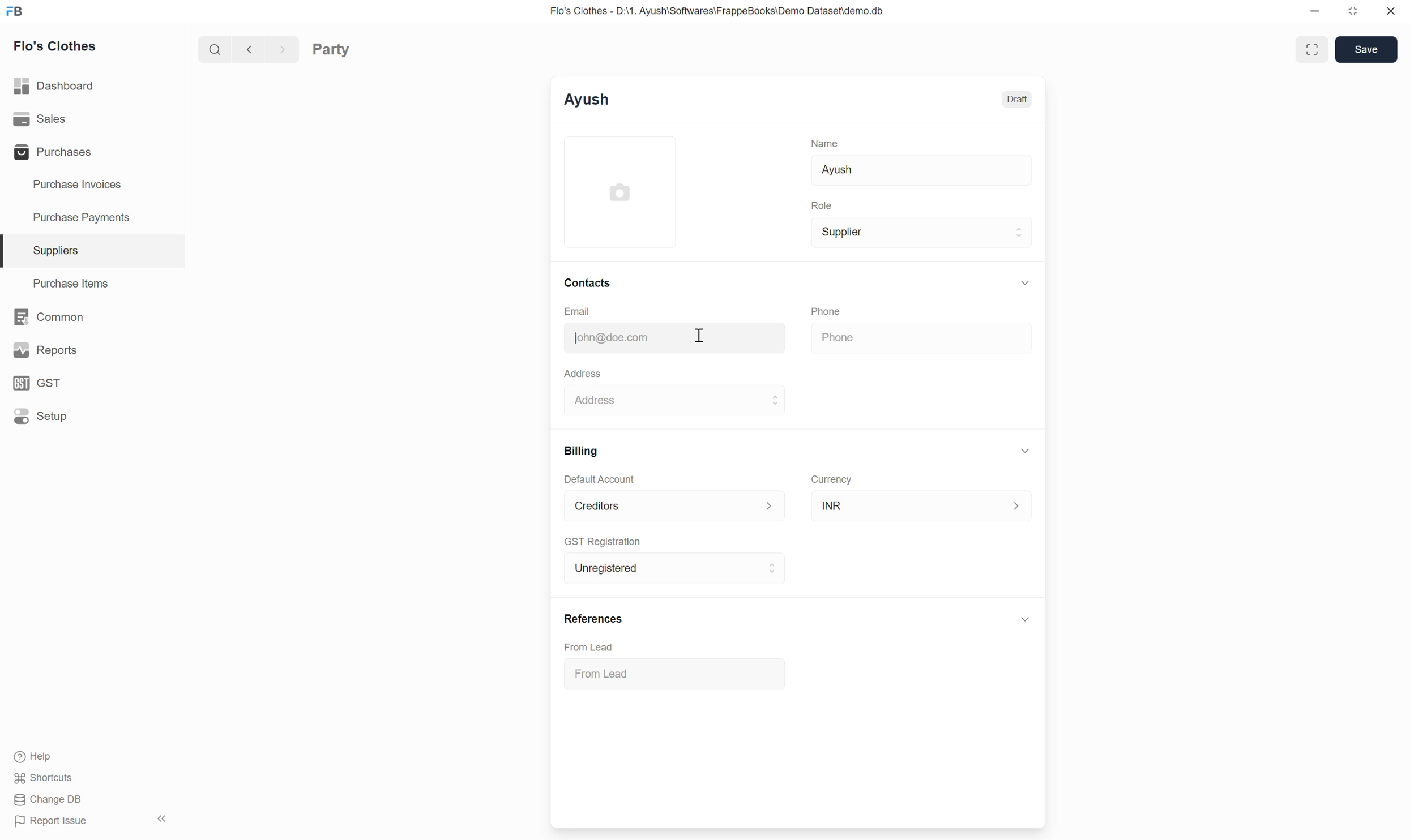 The height and width of the screenshot is (840, 1410). Describe the element at coordinates (331, 49) in the screenshot. I see `Party` at that location.